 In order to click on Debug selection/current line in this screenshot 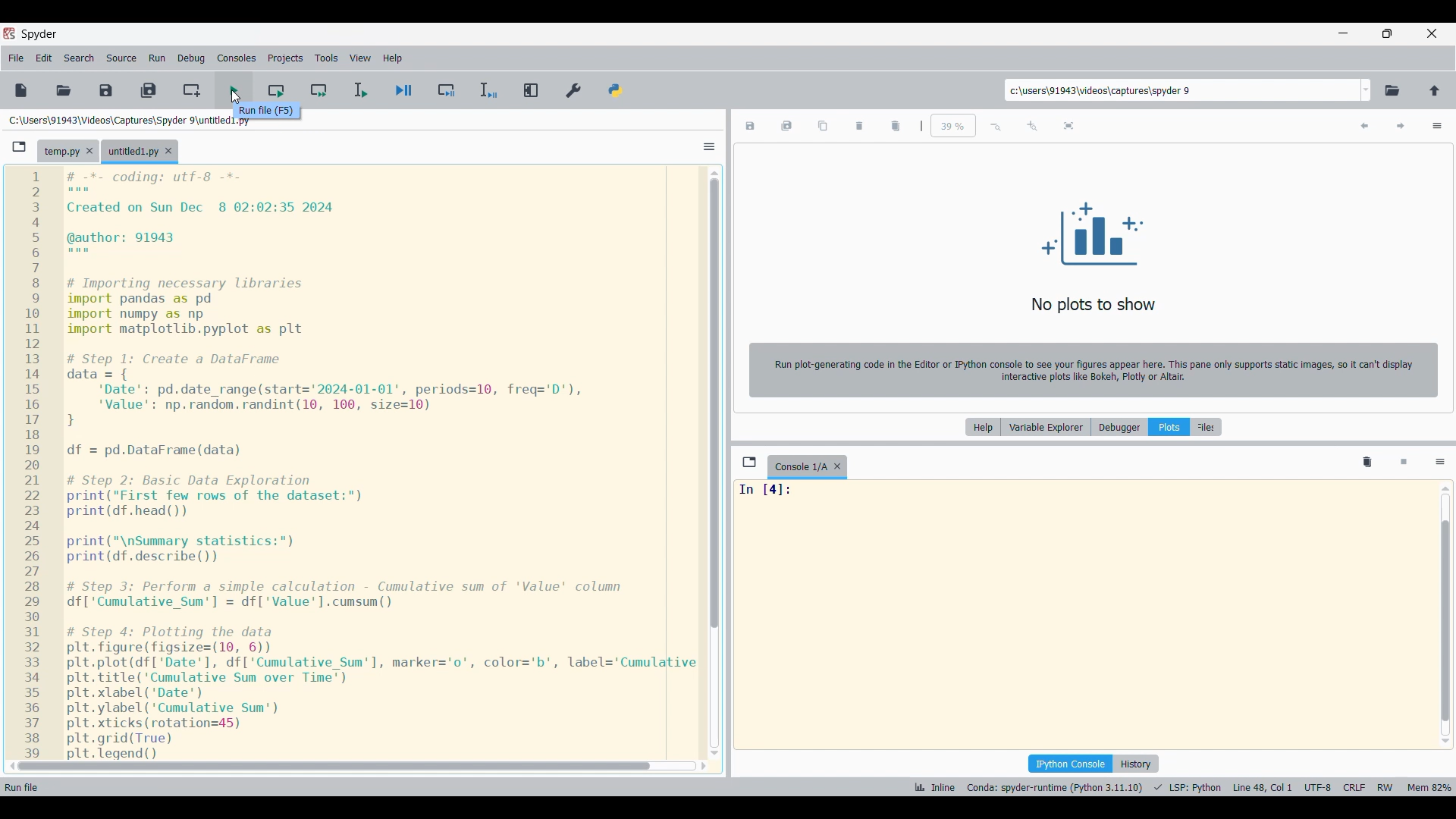, I will do `click(488, 90)`.